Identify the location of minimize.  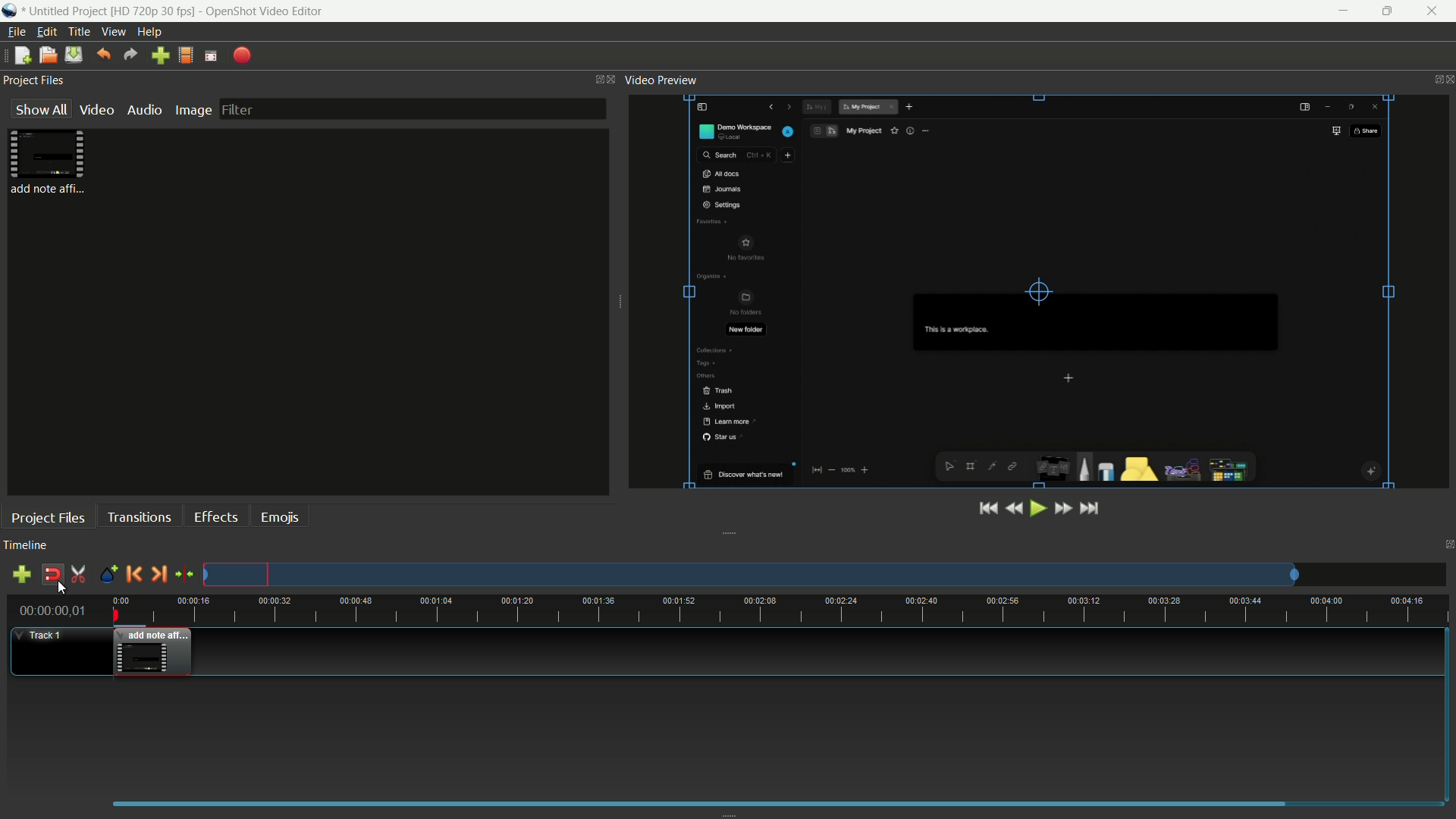
(1341, 11).